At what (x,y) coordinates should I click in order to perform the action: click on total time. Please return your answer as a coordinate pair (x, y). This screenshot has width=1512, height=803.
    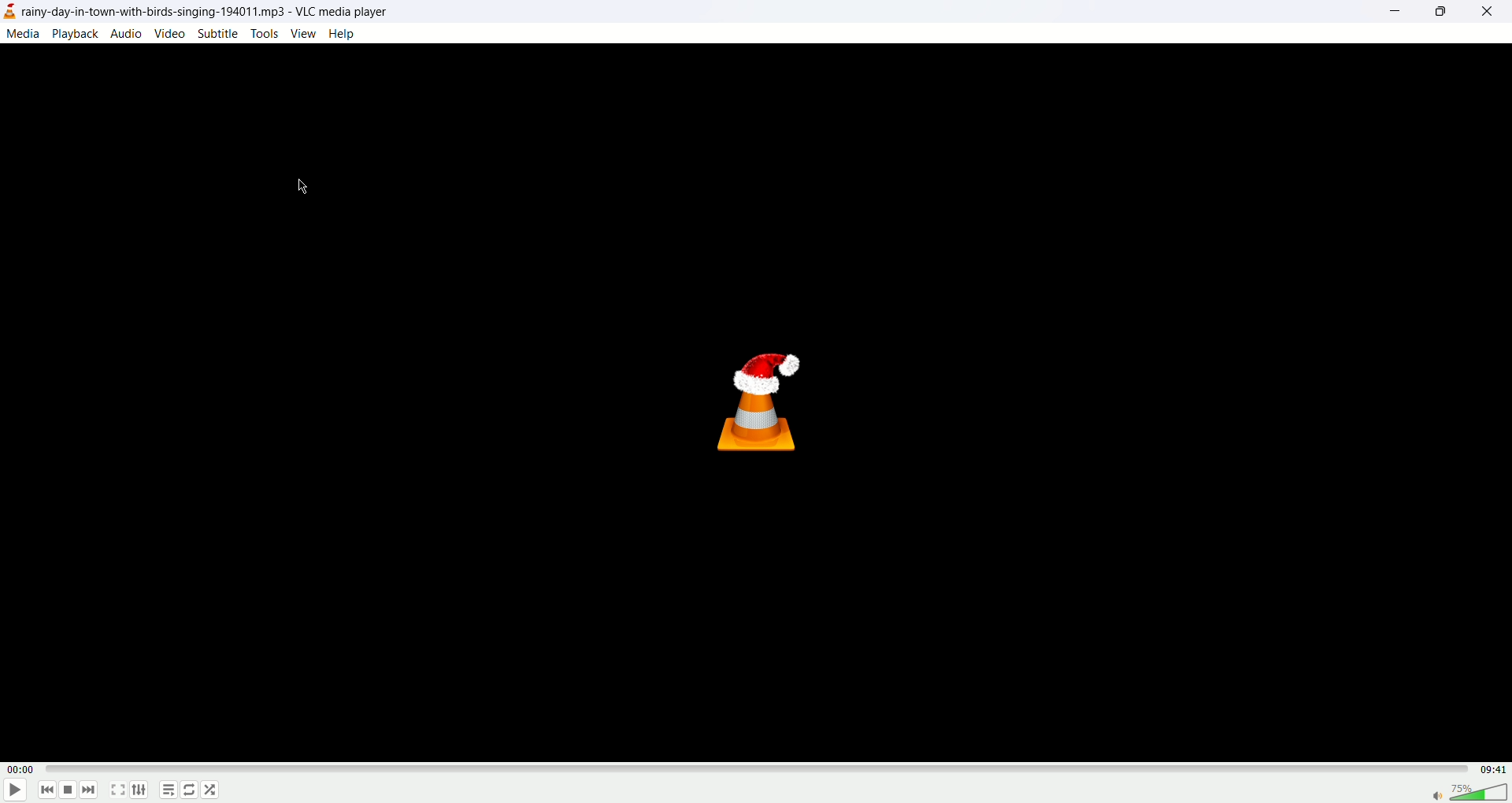
    Looking at the image, I should click on (1488, 768).